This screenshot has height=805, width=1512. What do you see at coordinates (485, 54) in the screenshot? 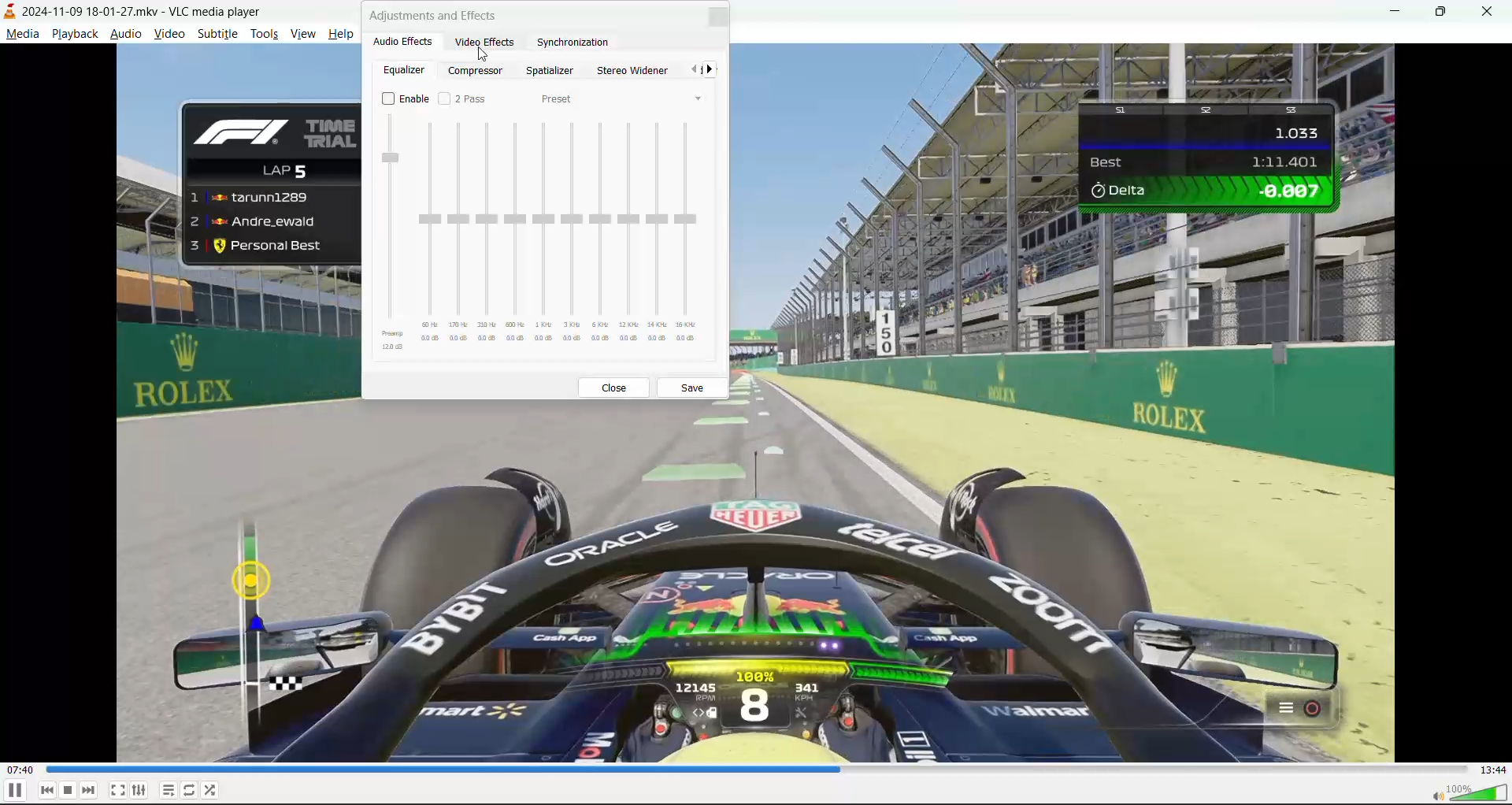
I see `cursor` at bounding box center [485, 54].